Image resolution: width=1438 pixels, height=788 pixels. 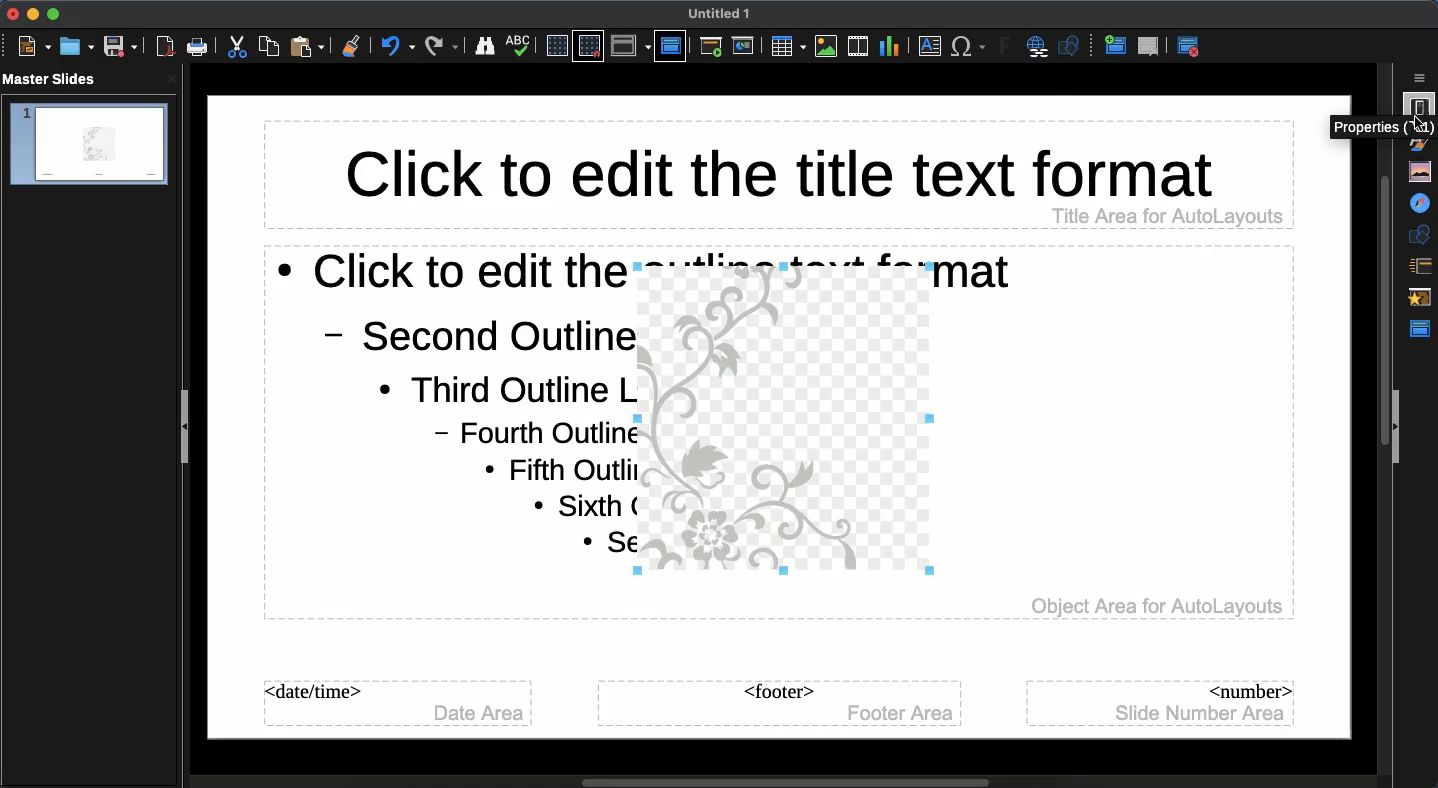 What do you see at coordinates (1361, 129) in the screenshot?
I see `cursor description` at bounding box center [1361, 129].